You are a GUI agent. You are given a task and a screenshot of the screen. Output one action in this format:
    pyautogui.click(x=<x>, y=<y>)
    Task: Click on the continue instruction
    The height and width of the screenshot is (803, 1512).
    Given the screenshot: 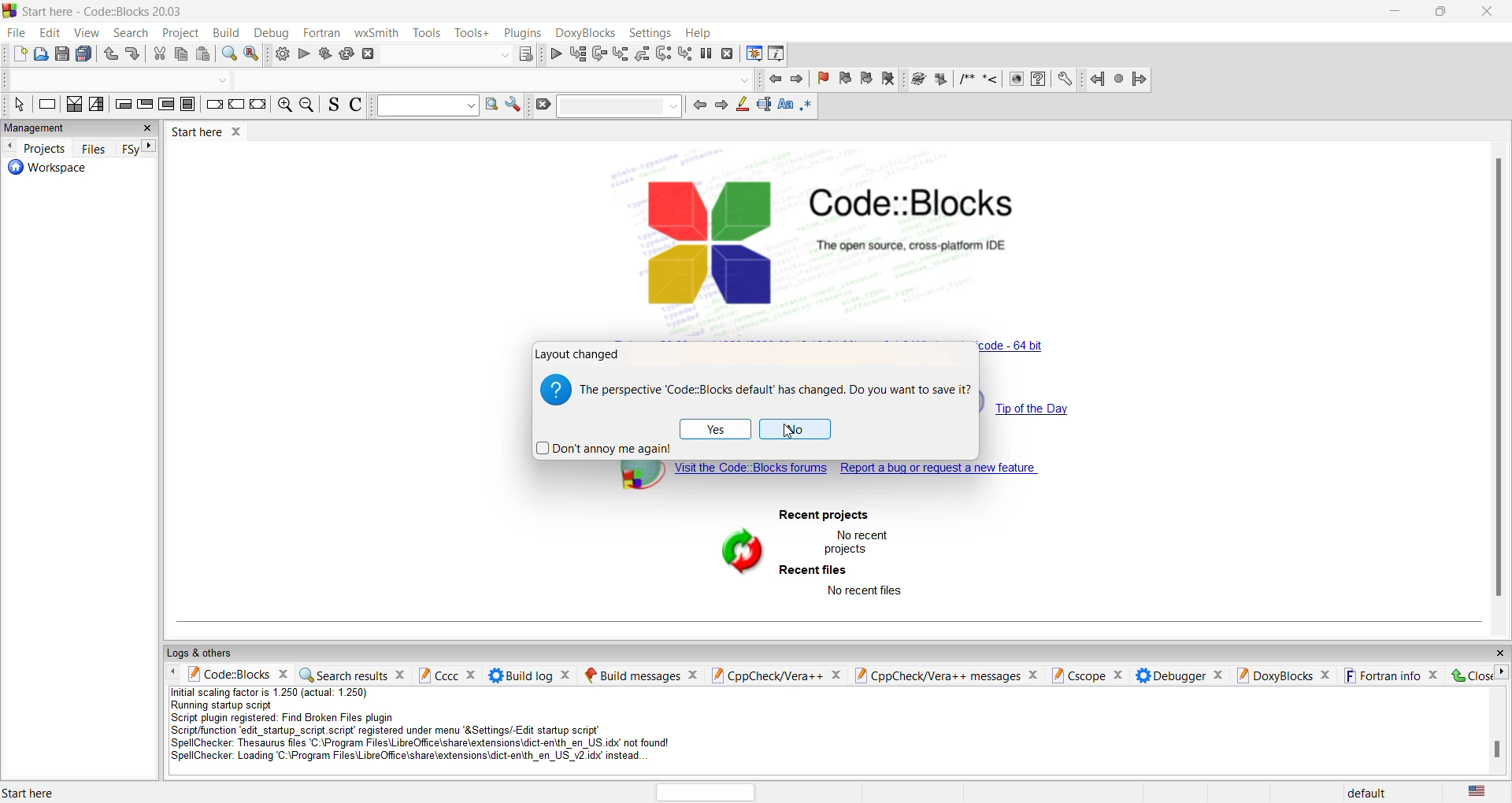 What is the action you would take?
    pyautogui.click(x=237, y=105)
    